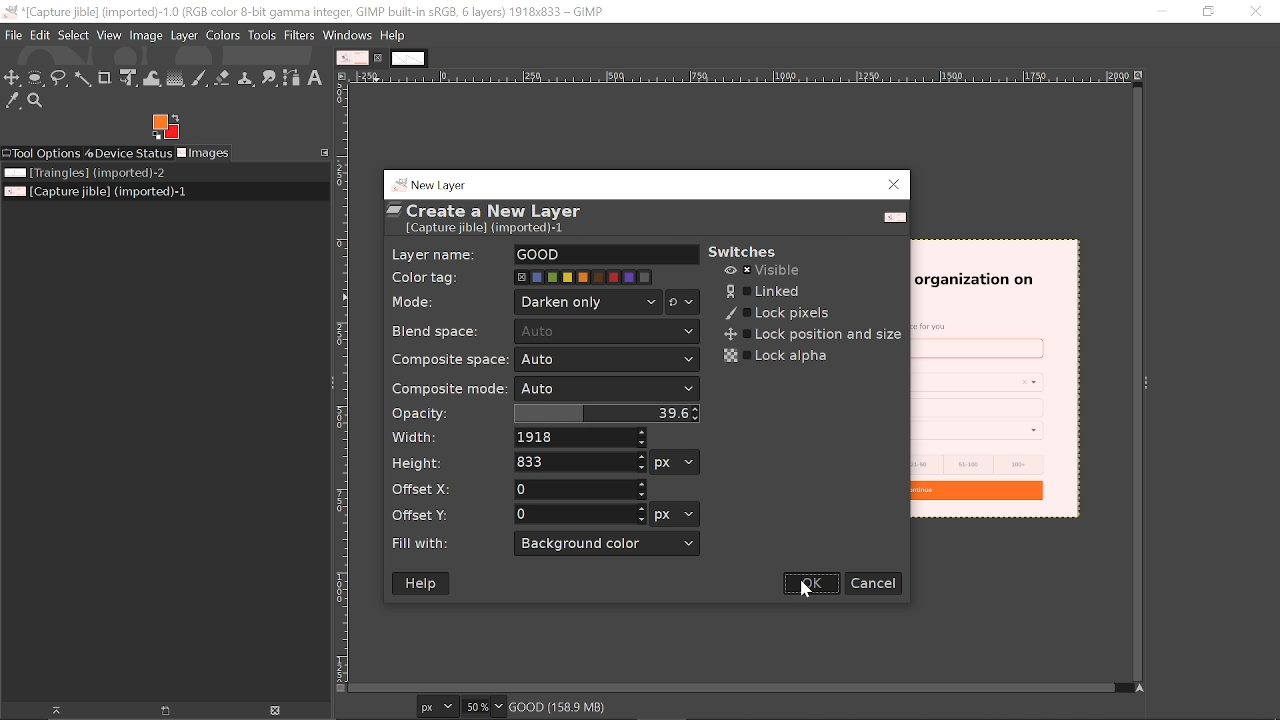  Describe the element at coordinates (261, 35) in the screenshot. I see `Tools` at that location.